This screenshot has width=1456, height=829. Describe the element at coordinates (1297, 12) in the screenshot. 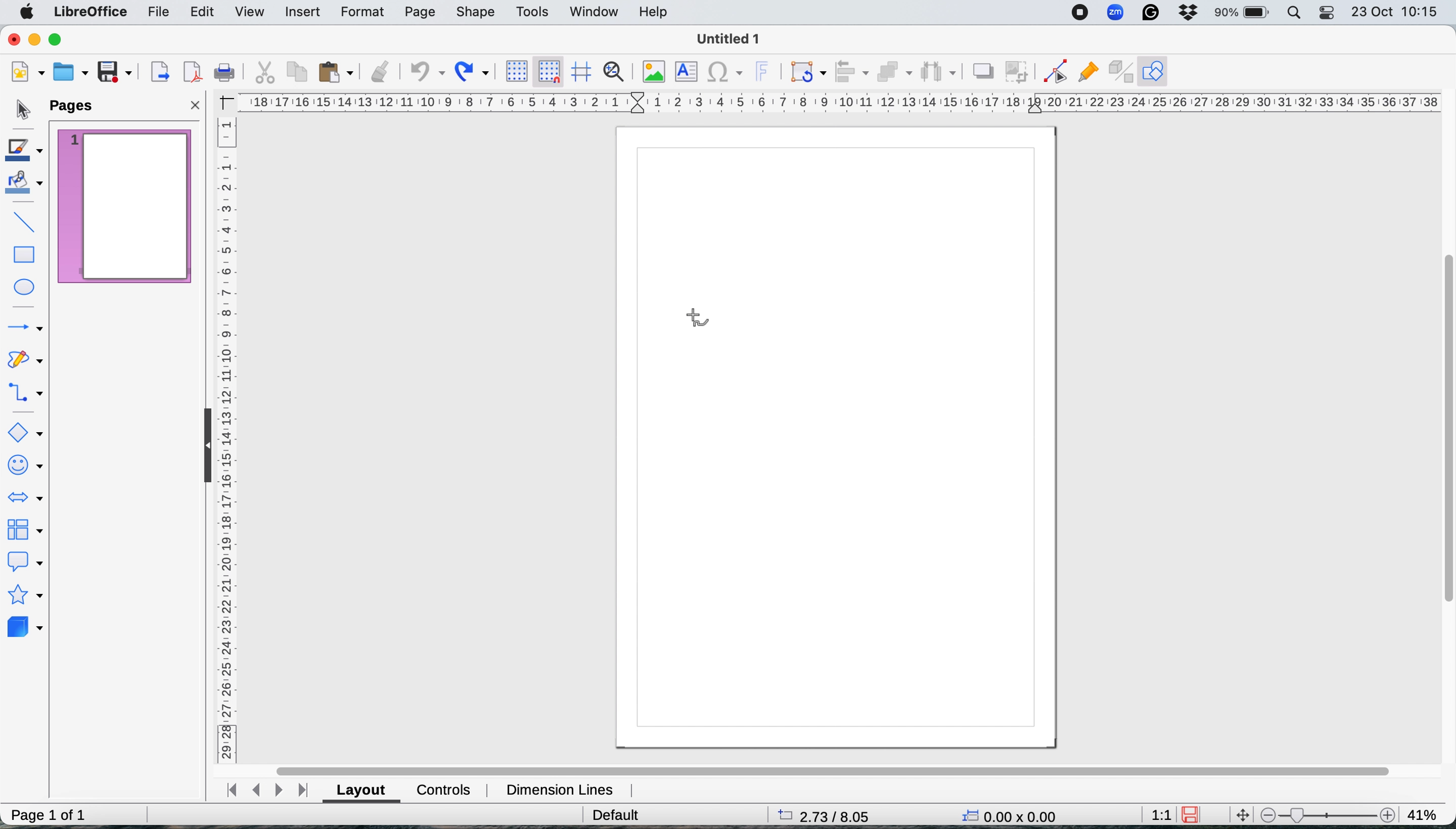

I see `spotlight search` at that location.